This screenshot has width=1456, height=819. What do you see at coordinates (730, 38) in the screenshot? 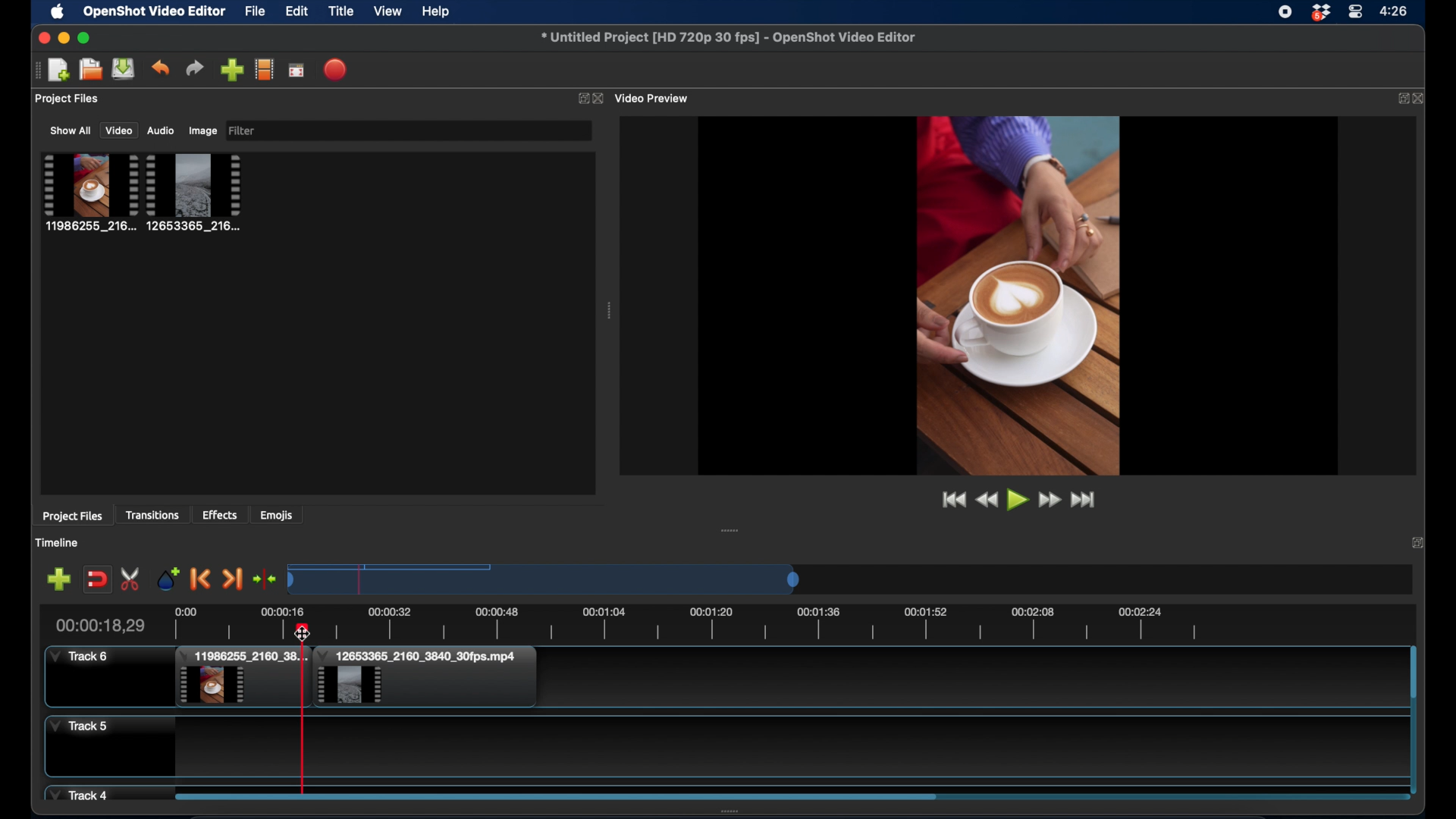
I see `file name` at bounding box center [730, 38].